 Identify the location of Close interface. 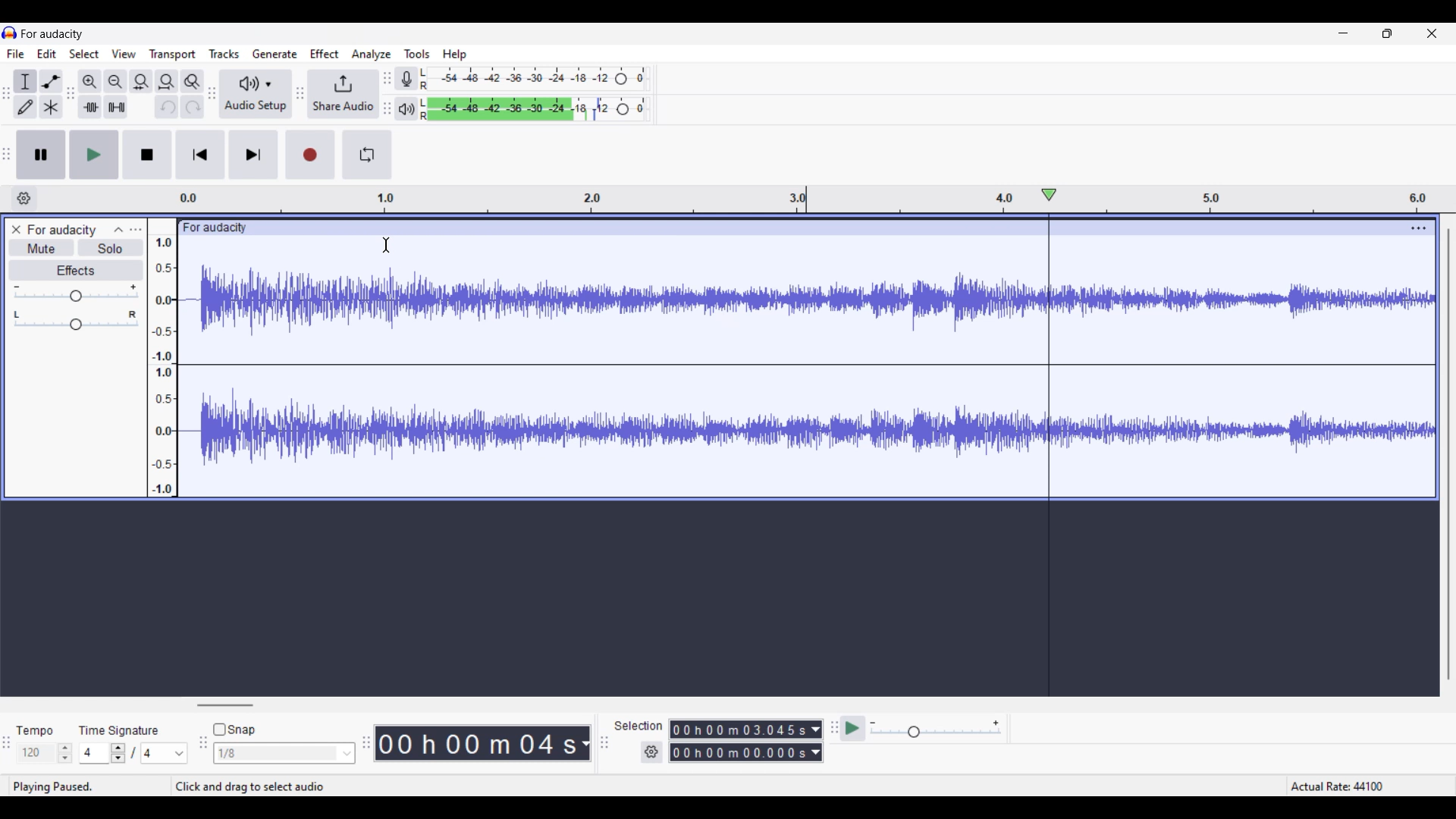
(1432, 33).